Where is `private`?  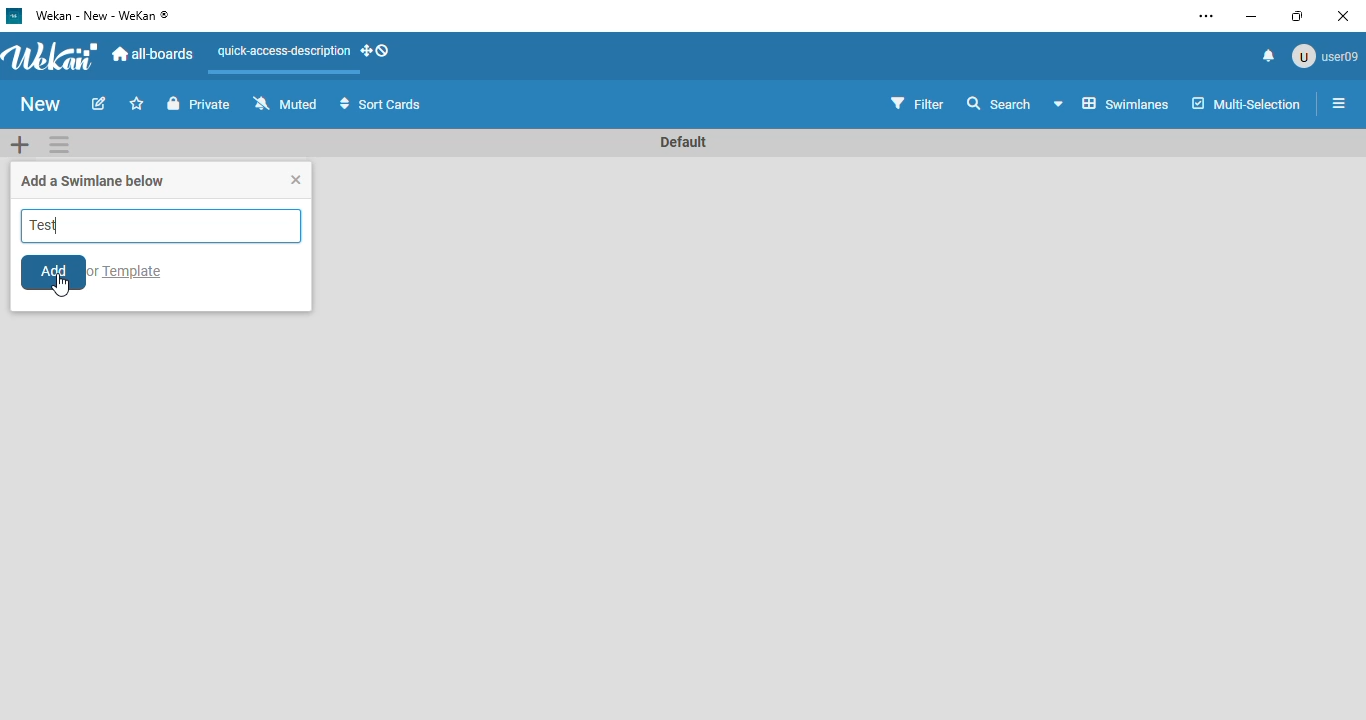 private is located at coordinates (200, 103).